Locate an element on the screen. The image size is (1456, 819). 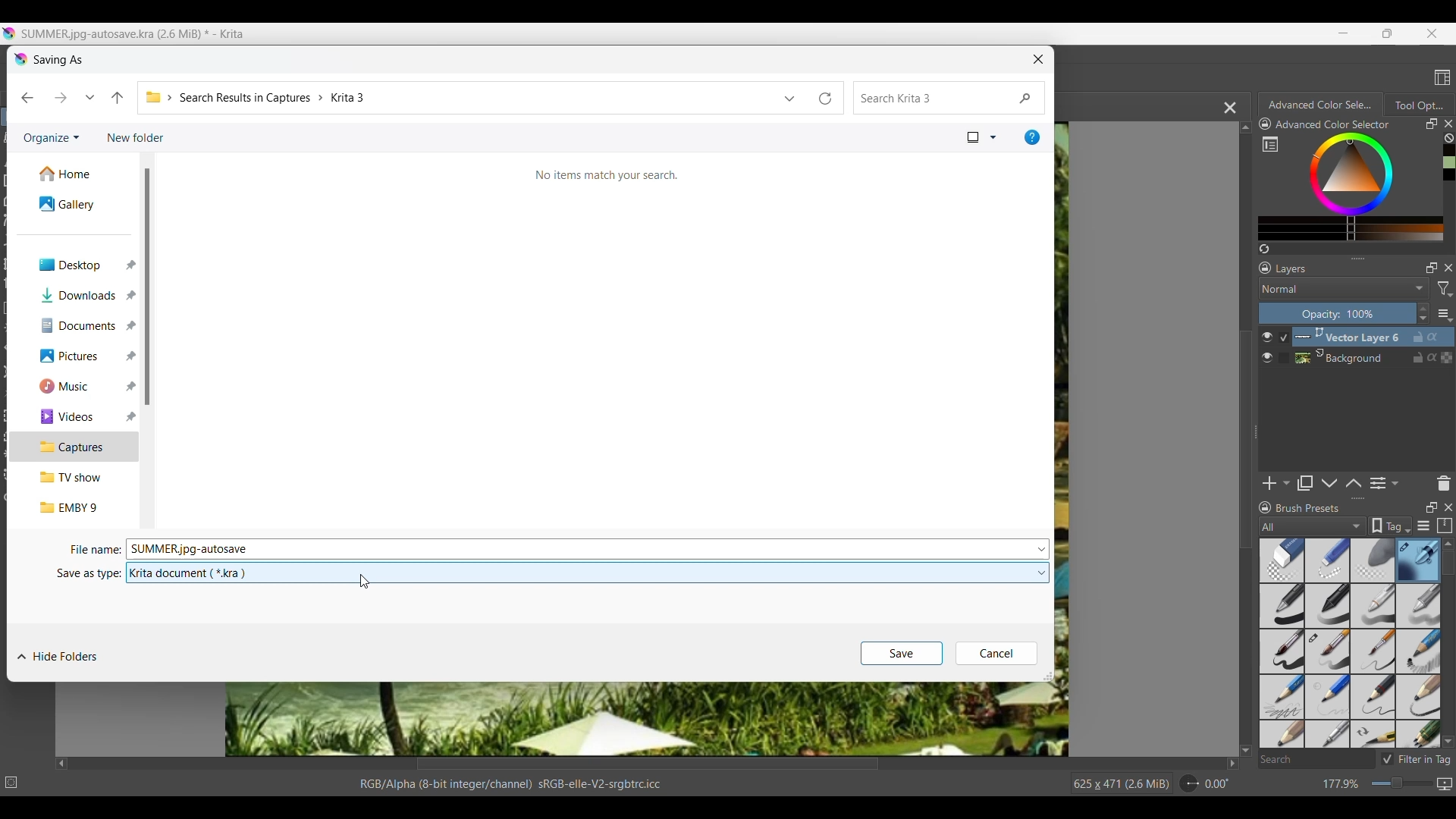
625 x 471 (26 MiB) is located at coordinates (1112, 783).